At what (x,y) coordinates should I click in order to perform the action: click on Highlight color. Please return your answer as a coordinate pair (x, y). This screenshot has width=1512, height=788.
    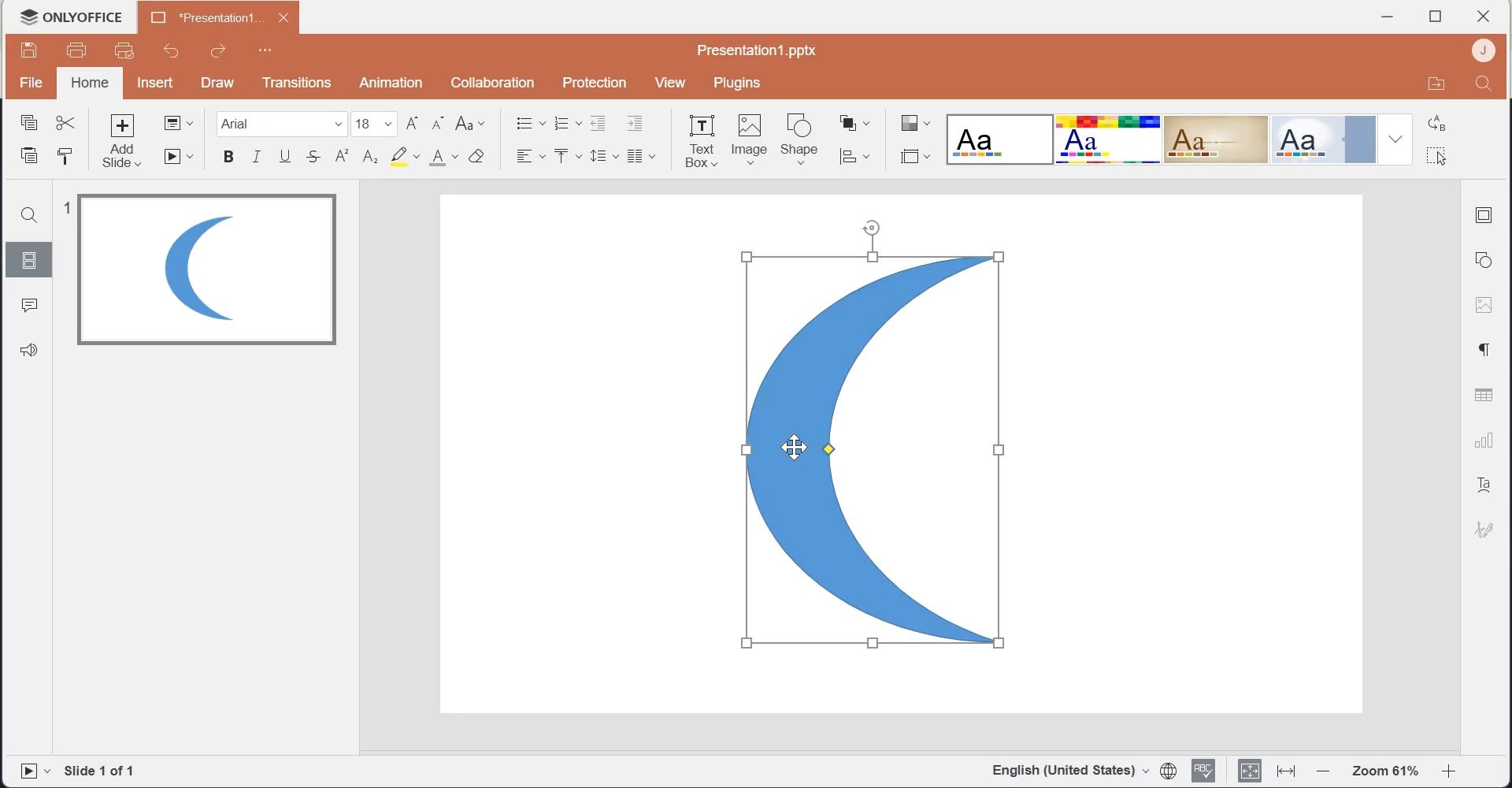
    Looking at the image, I should click on (406, 156).